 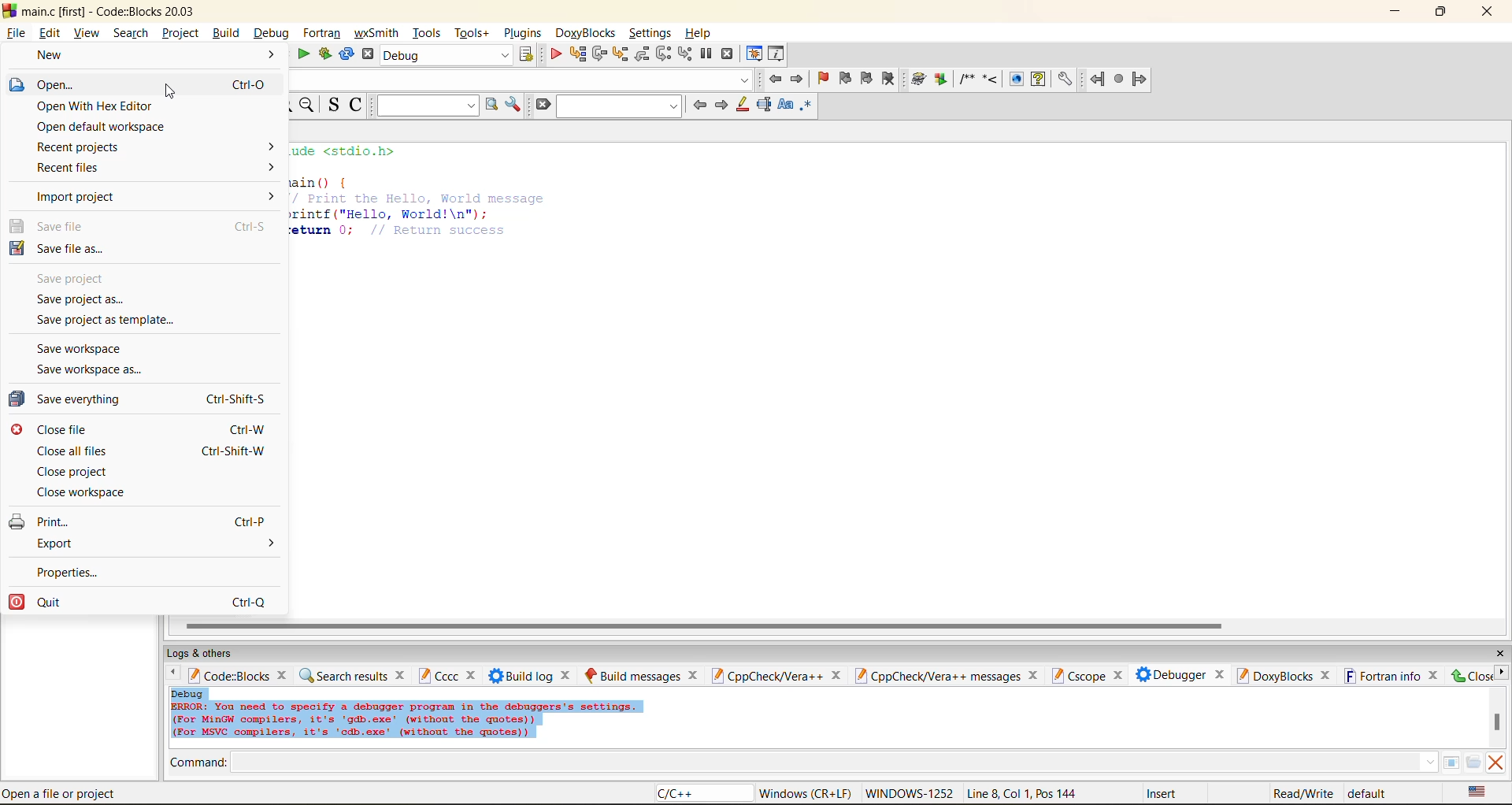 I want to click on close, so click(x=1326, y=676).